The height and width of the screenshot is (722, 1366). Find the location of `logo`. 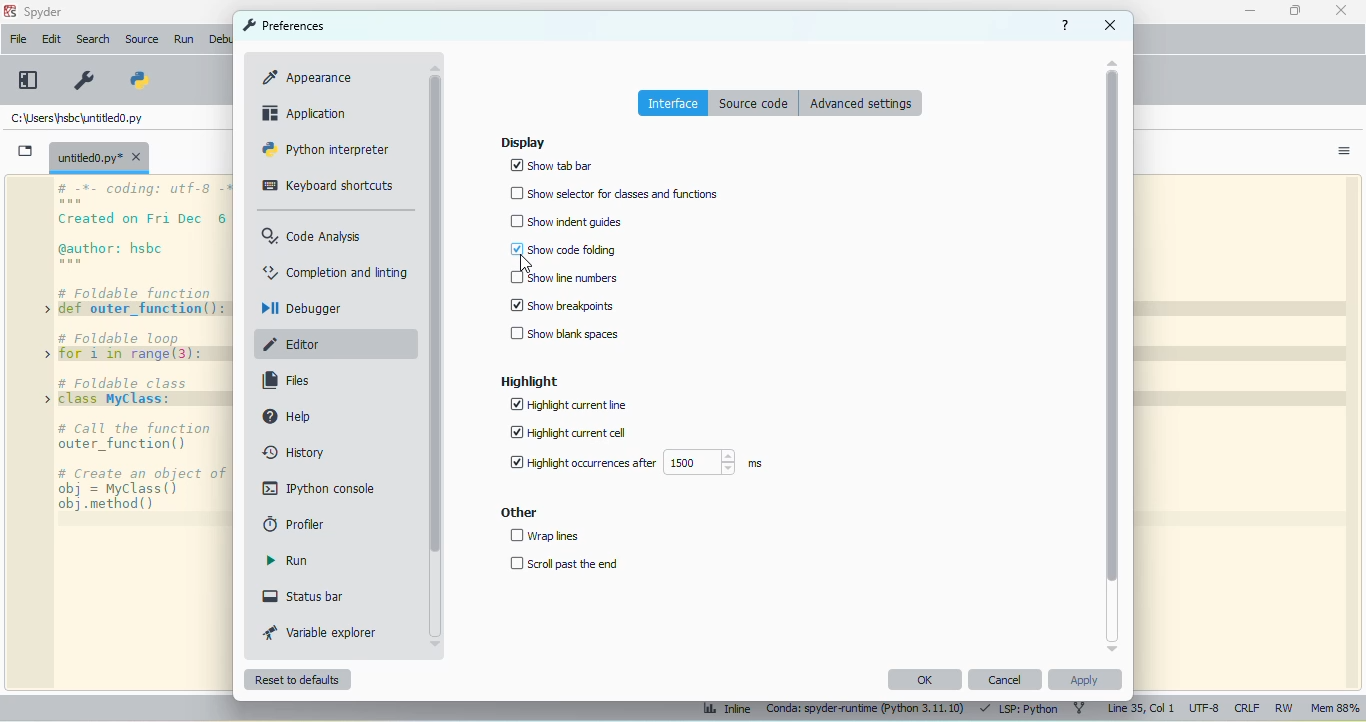

logo is located at coordinates (10, 11).